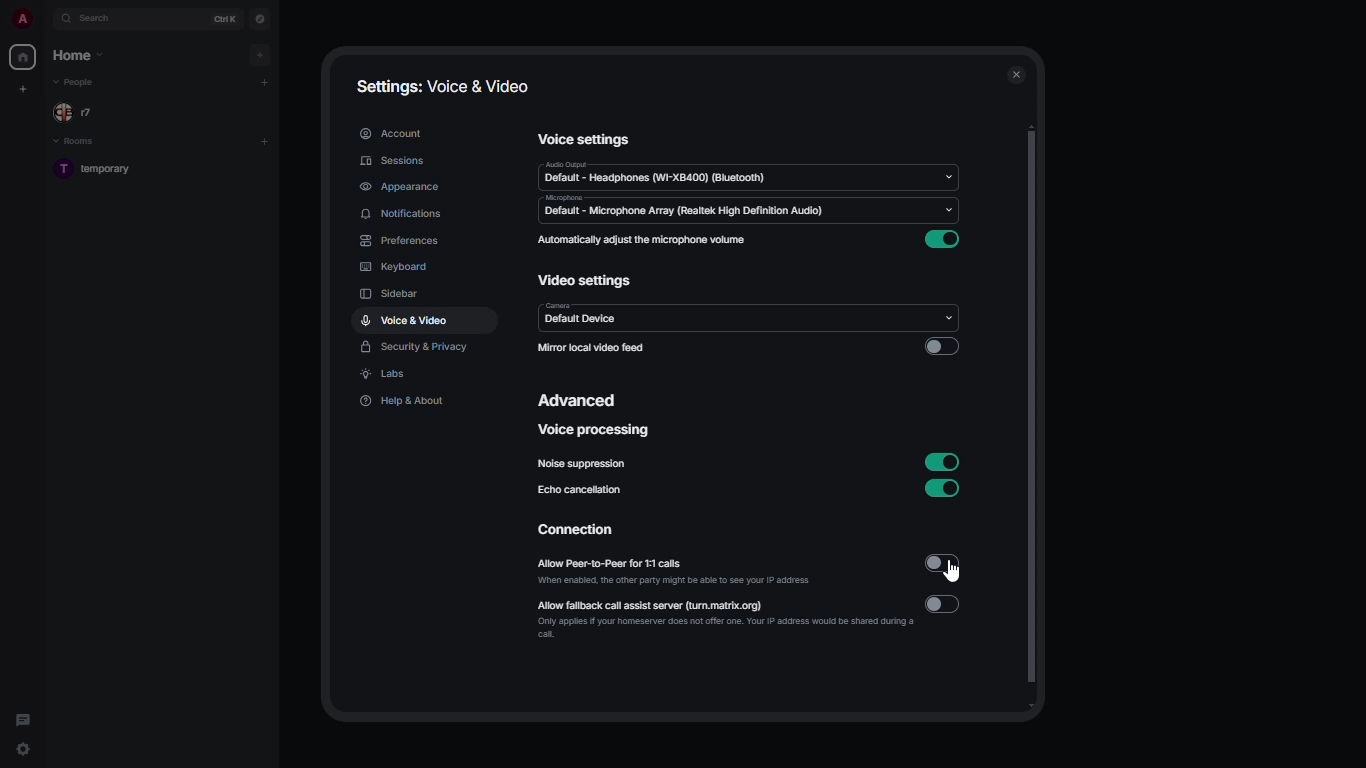 The height and width of the screenshot is (768, 1366). Describe the element at coordinates (406, 213) in the screenshot. I see `notification` at that location.